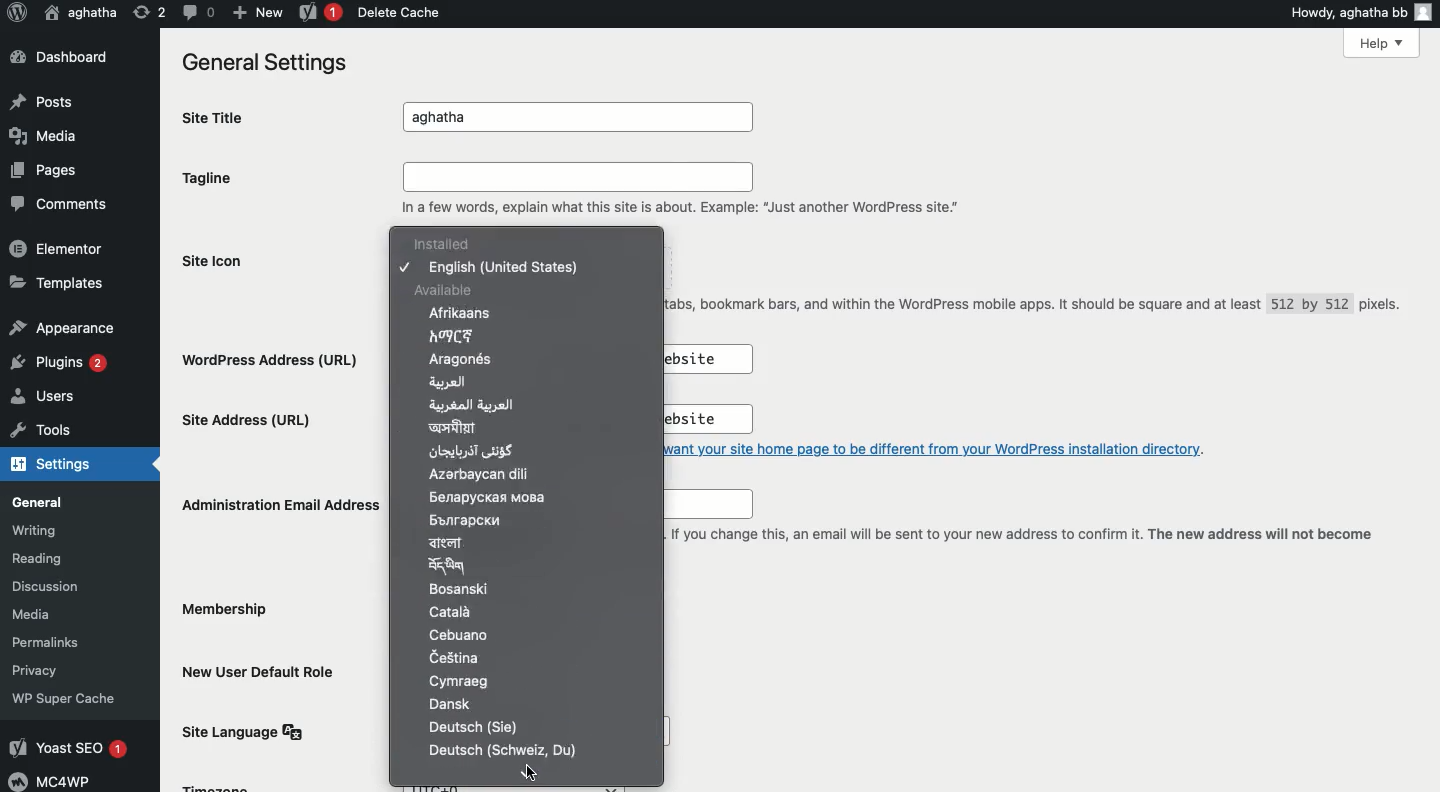  Describe the element at coordinates (60, 642) in the screenshot. I see `Permalinks` at that location.